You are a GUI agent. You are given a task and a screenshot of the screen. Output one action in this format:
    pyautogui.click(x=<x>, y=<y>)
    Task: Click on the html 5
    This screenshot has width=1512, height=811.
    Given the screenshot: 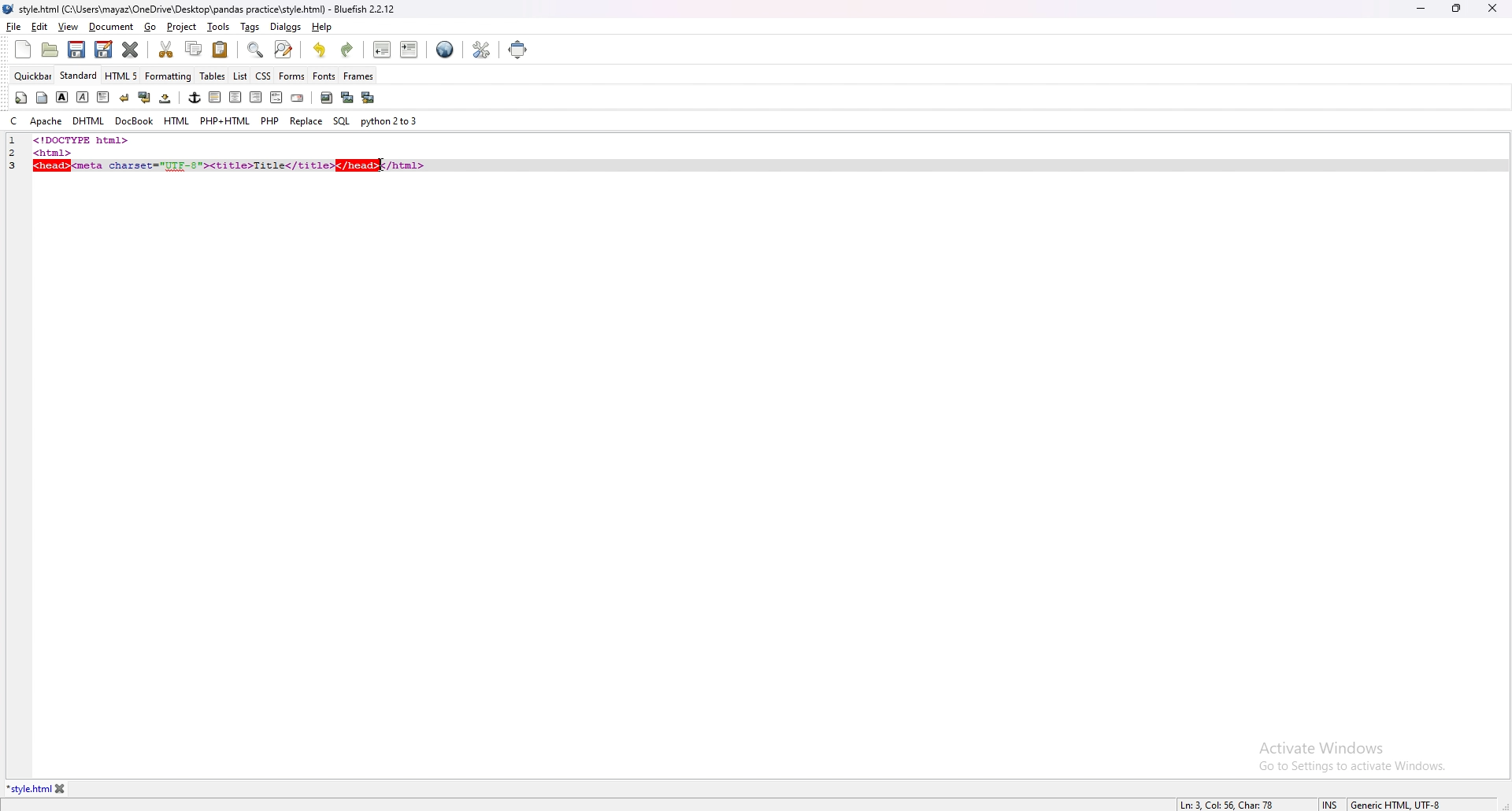 What is the action you would take?
    pyautogui.click(x=123, y=76)
    